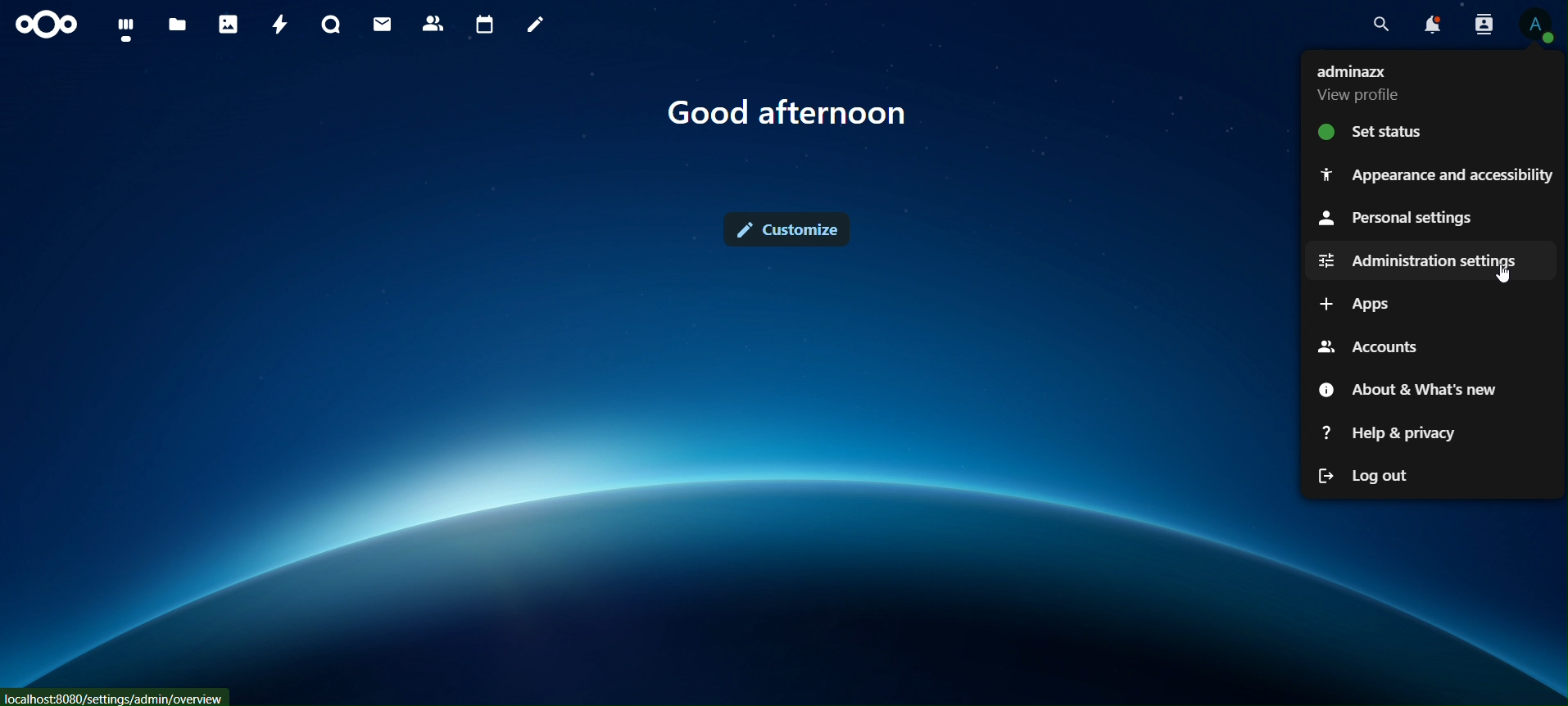  I want to click on dashboard, so click(125, 29).